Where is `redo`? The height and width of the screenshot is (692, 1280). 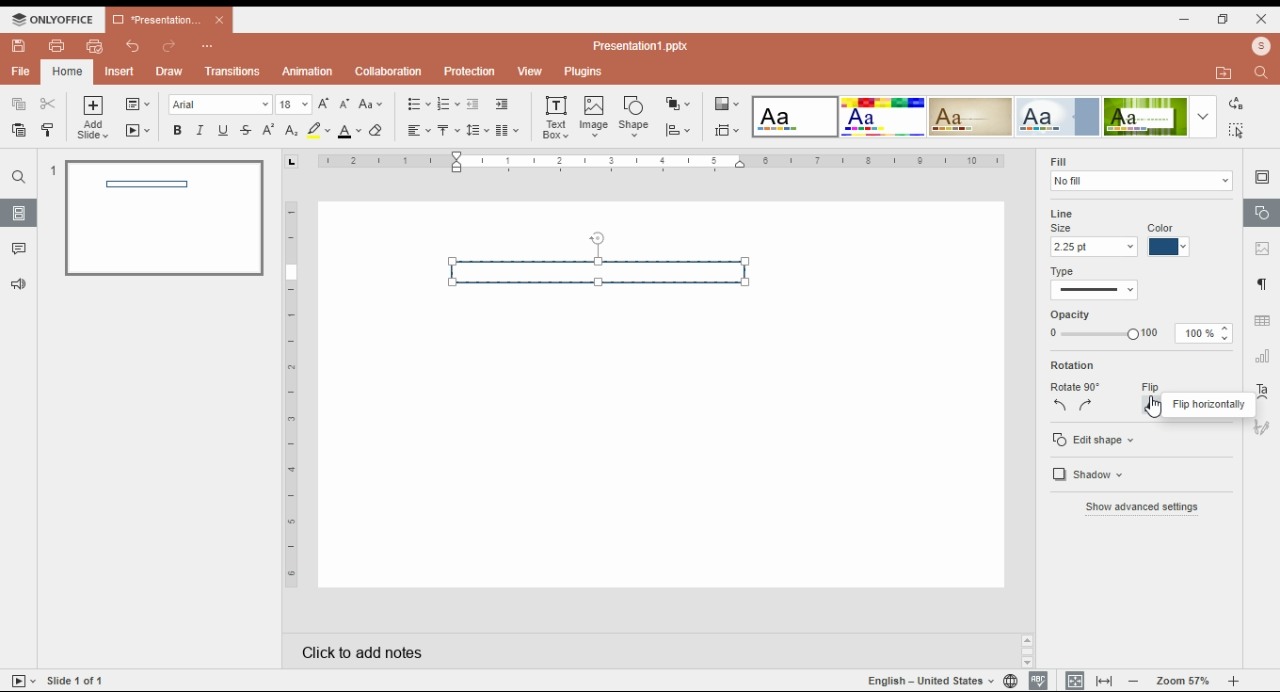
redo is located at coordinates (168, 48).